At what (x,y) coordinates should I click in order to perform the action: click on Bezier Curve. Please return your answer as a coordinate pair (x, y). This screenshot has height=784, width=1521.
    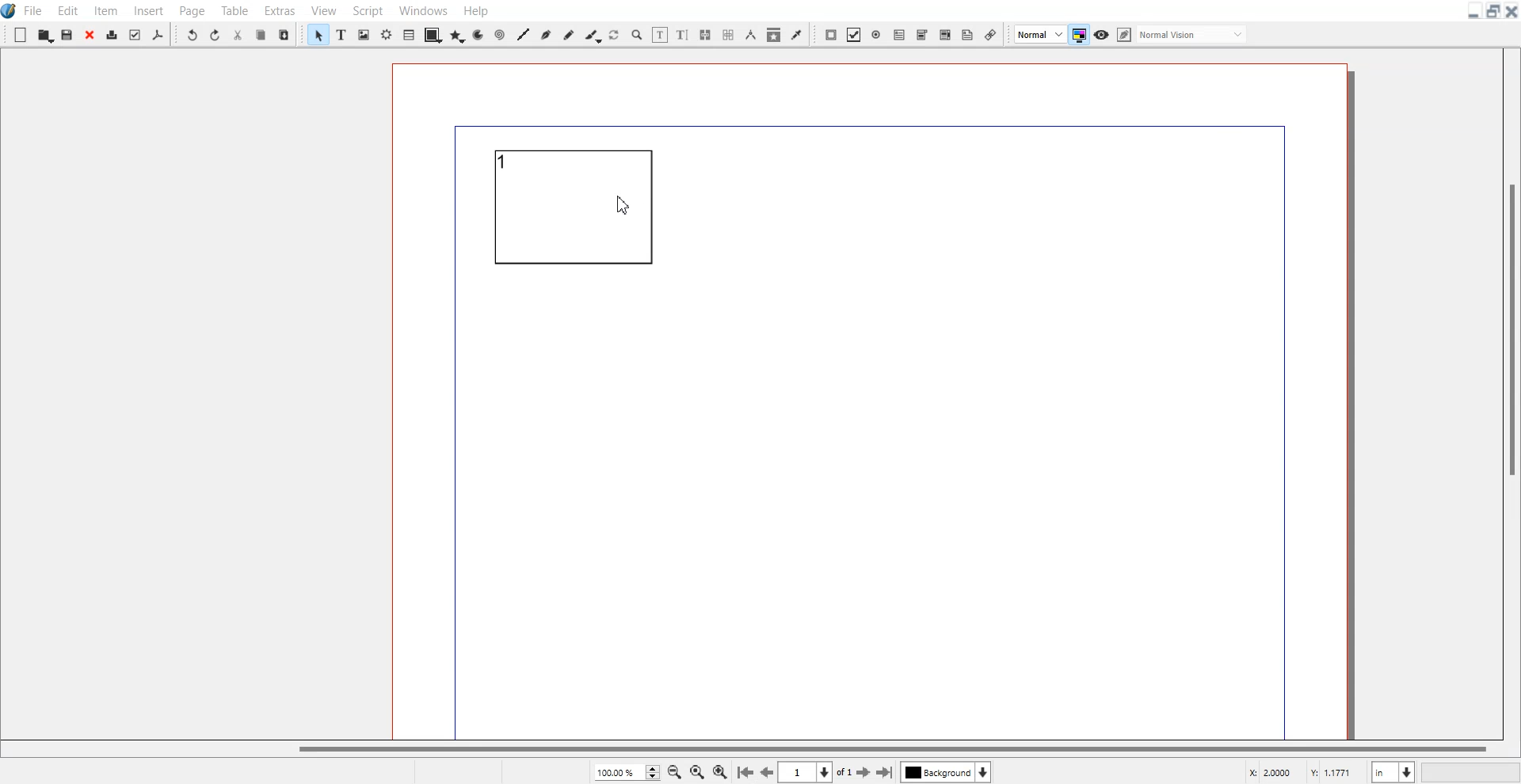
    Looking at the image, I should click on (546, 33).